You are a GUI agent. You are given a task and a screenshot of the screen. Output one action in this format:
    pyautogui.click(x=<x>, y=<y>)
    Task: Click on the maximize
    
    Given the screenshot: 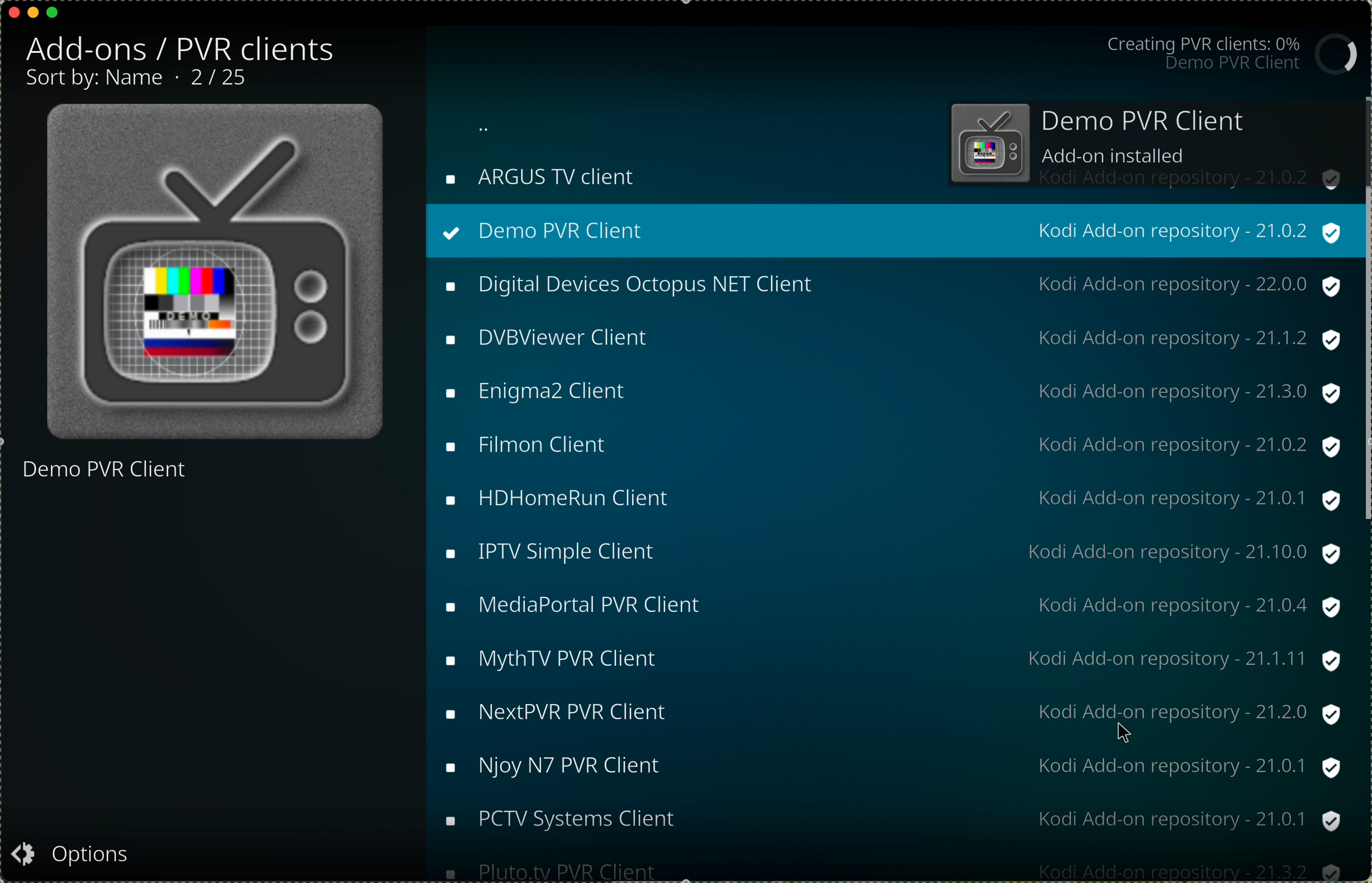 What is the action you would take?
    pyautogui.click(x=53, y=17)
    